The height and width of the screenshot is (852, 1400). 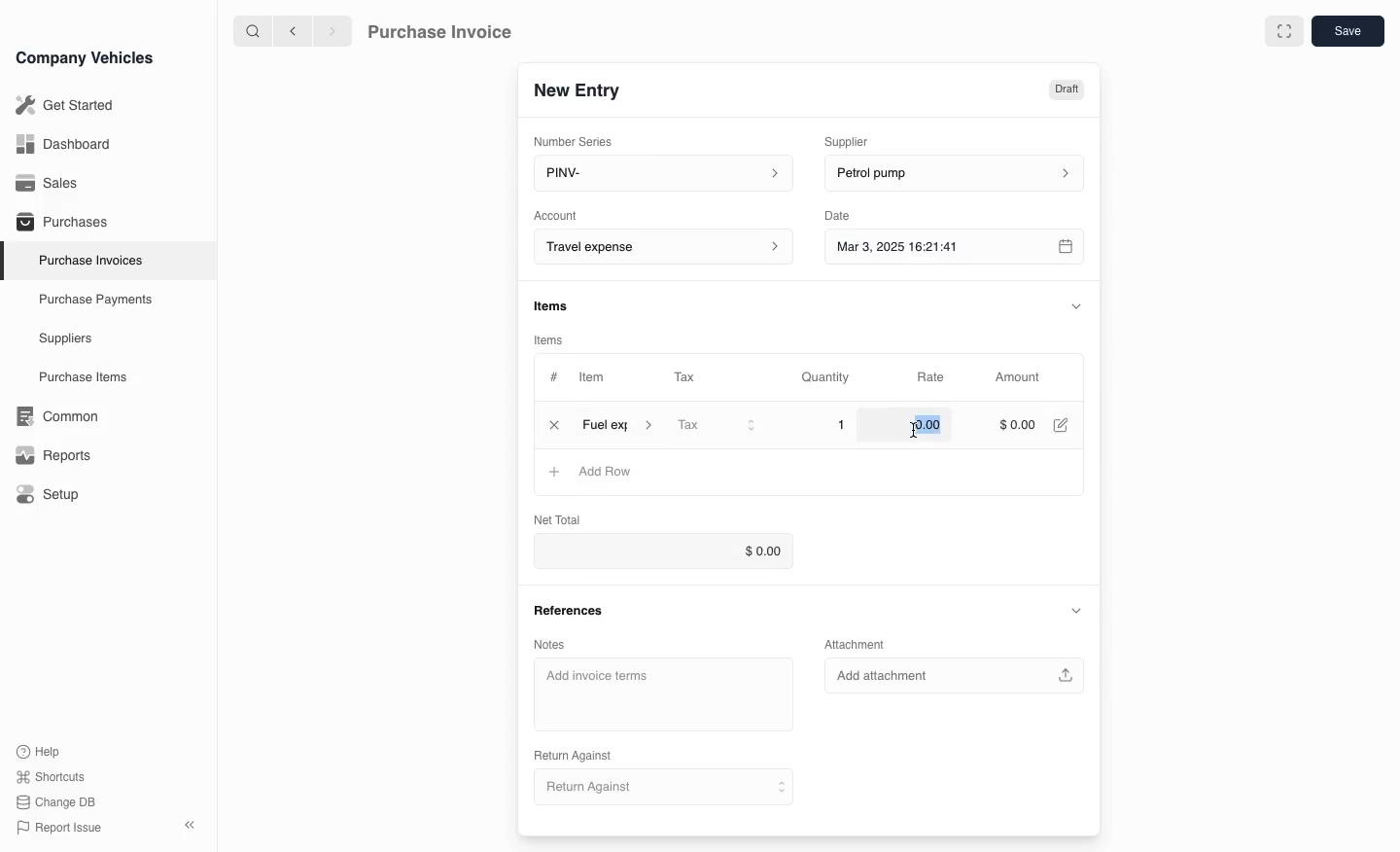 I want to click on $000, so click(x=1017, y=426).